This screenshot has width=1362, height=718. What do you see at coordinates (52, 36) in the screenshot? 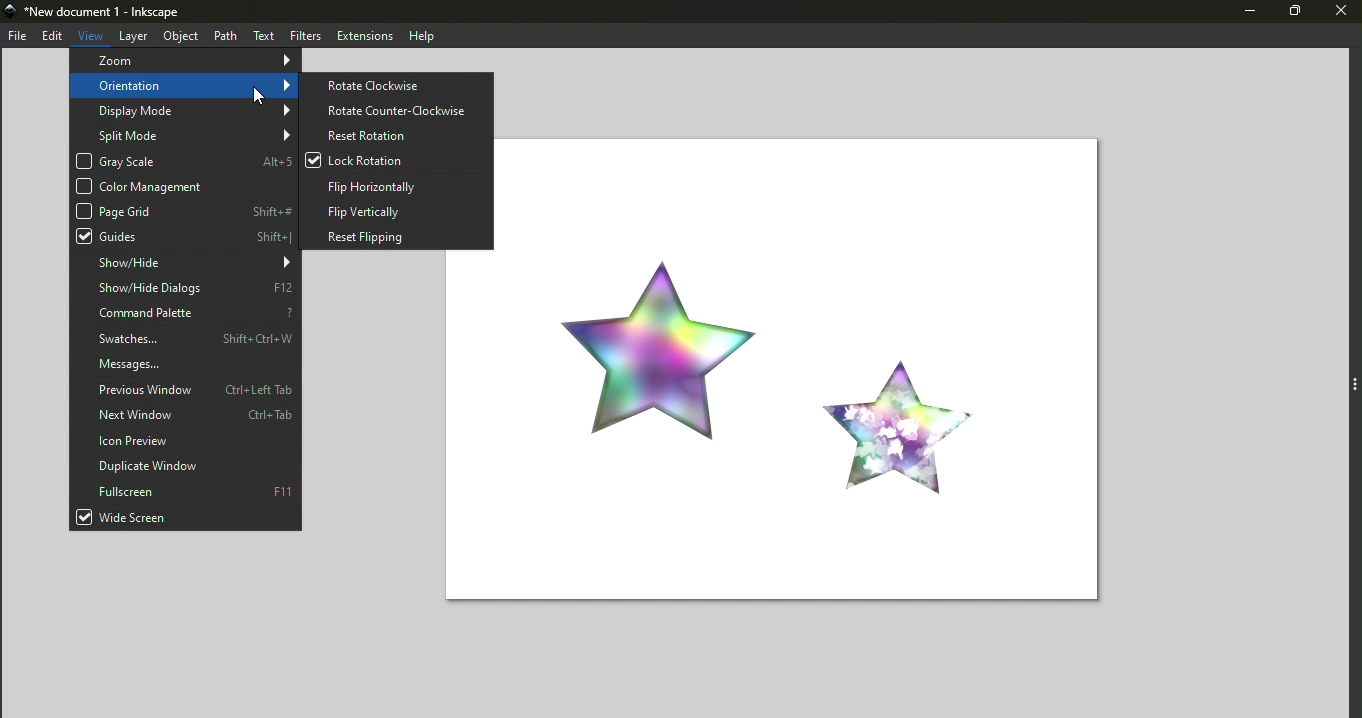
I see `Edit` at bounding box center [52, 36].